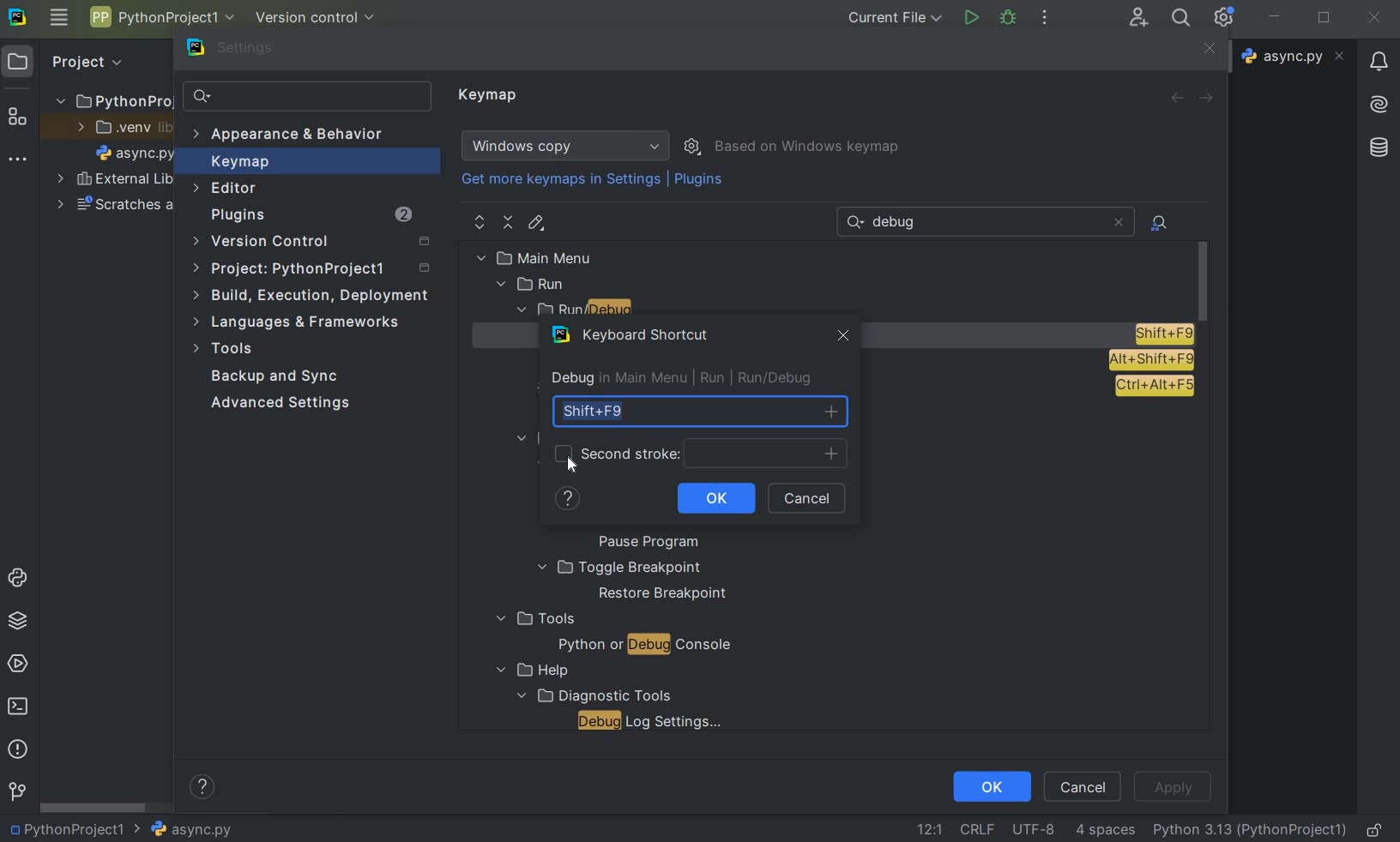 Image resolution: width=1400 pixels, height=842 pixels. Describe the element at coordinates (1374, 18) in the screenshot. I see `close` at that location.